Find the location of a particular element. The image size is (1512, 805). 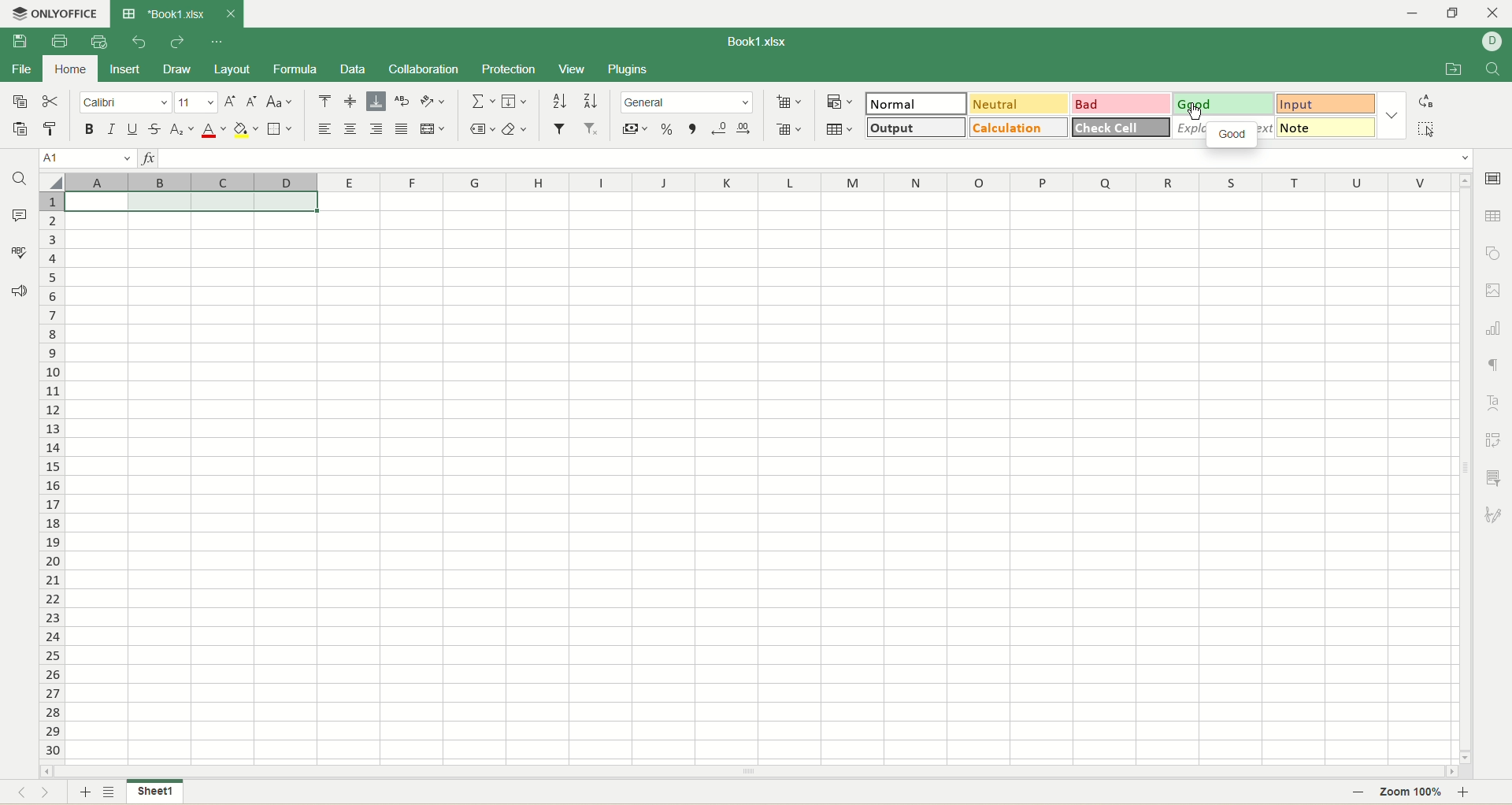

print is located at coordinates (58, 41).